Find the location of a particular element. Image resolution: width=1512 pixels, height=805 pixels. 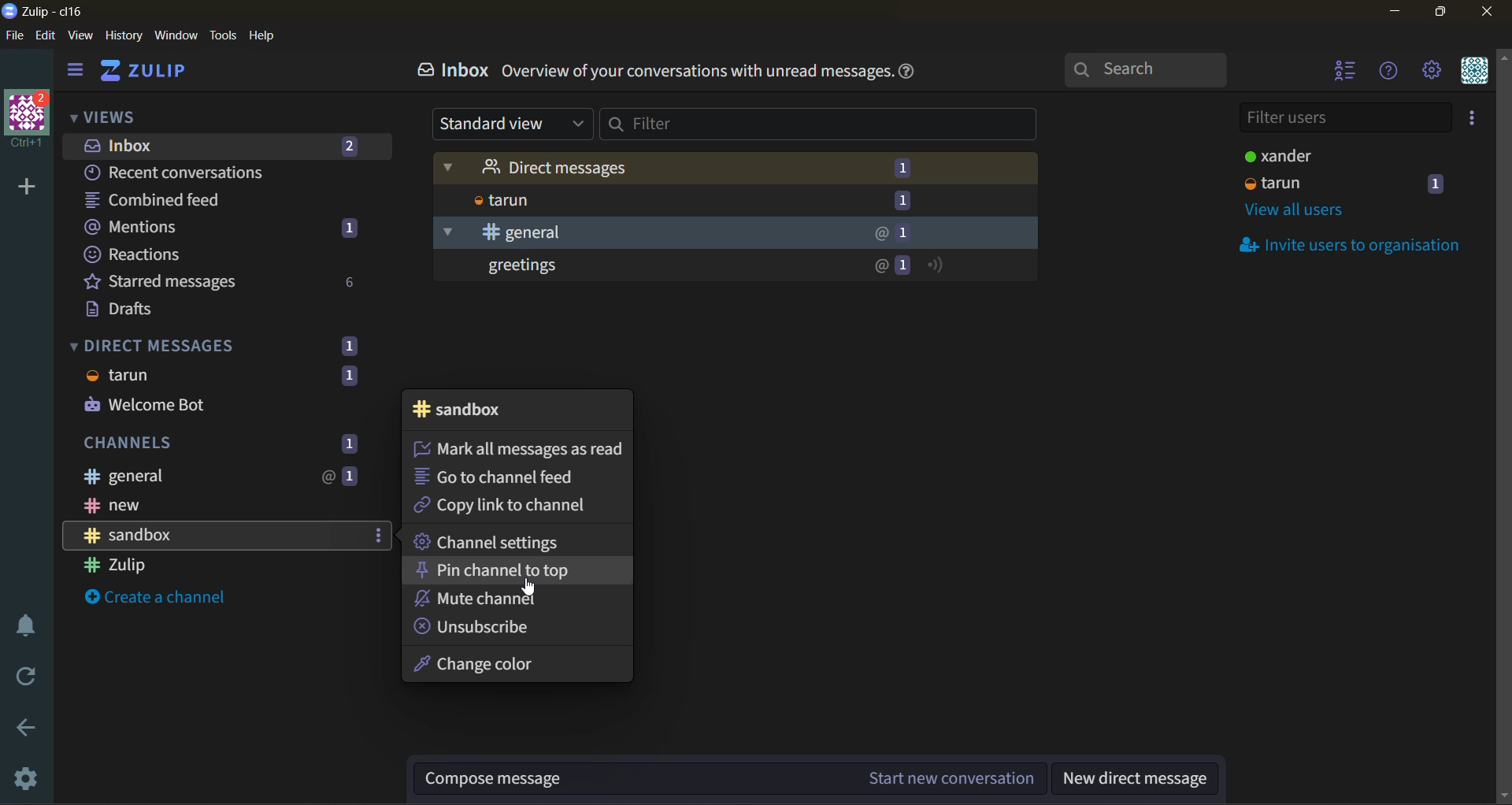

invite users to organisation is located at coordinates (1469, 121).